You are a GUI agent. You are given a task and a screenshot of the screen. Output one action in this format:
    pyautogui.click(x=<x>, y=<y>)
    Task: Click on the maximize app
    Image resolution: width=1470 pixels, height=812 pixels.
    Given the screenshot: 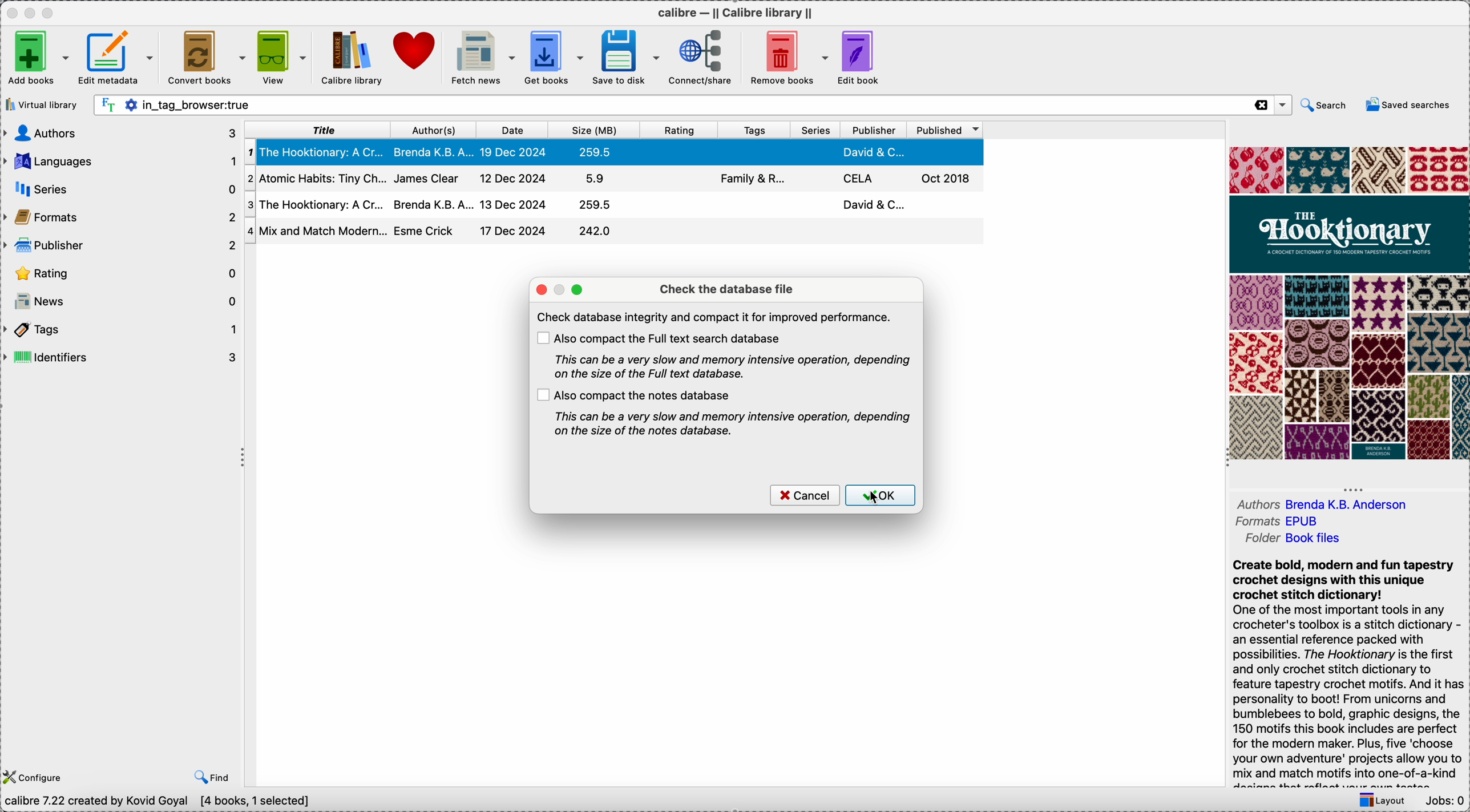 What is the action you would take?
    pyautogui.click(x=52, y=10)
    